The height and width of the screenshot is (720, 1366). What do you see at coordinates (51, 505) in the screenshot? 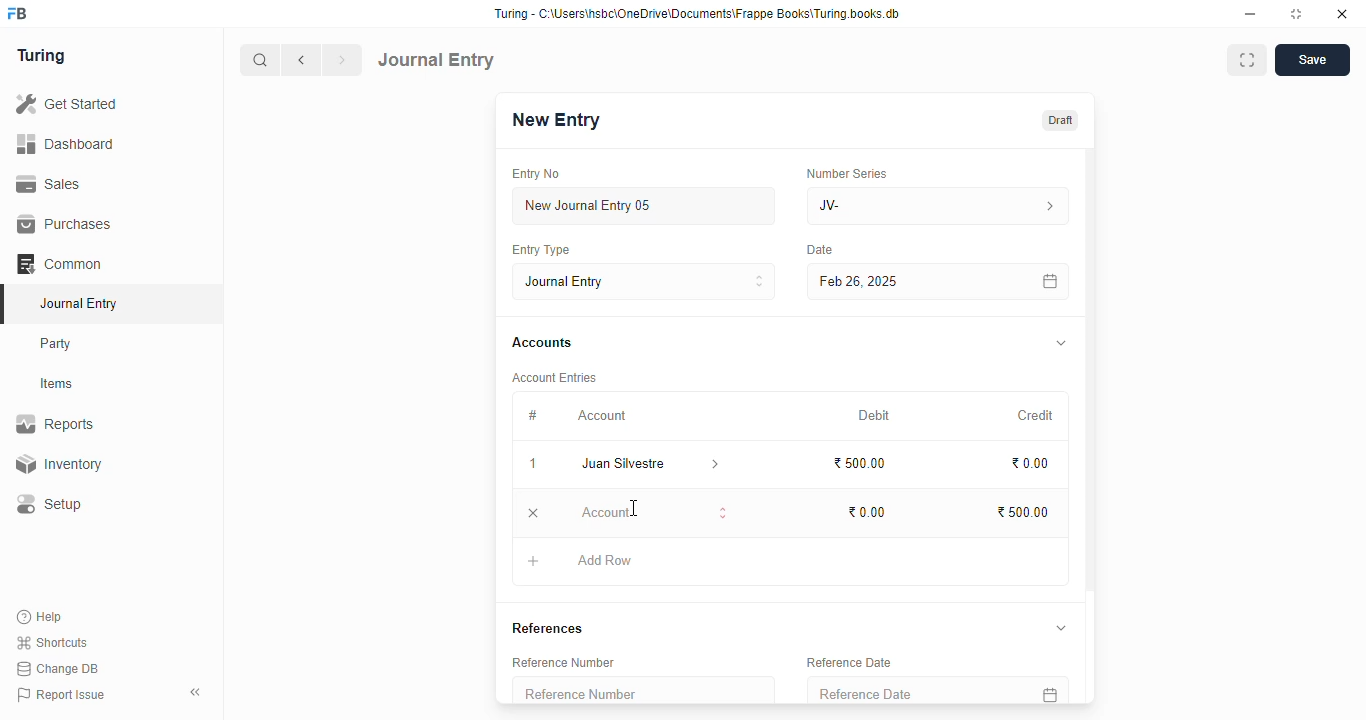
I see `setup` at bounding box center [51, 505].